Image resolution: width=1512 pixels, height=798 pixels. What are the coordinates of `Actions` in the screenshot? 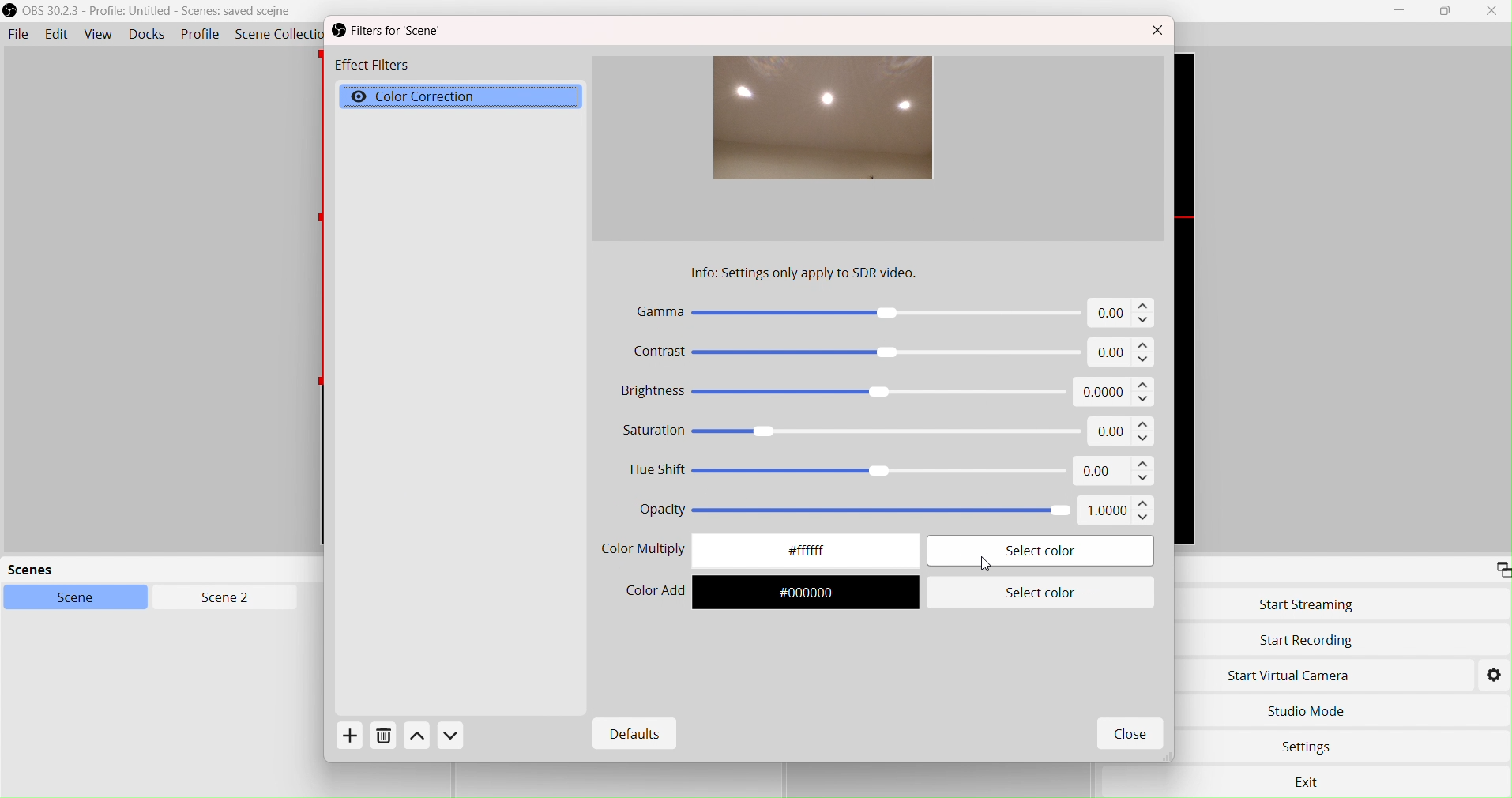 It's located at (434, 737).